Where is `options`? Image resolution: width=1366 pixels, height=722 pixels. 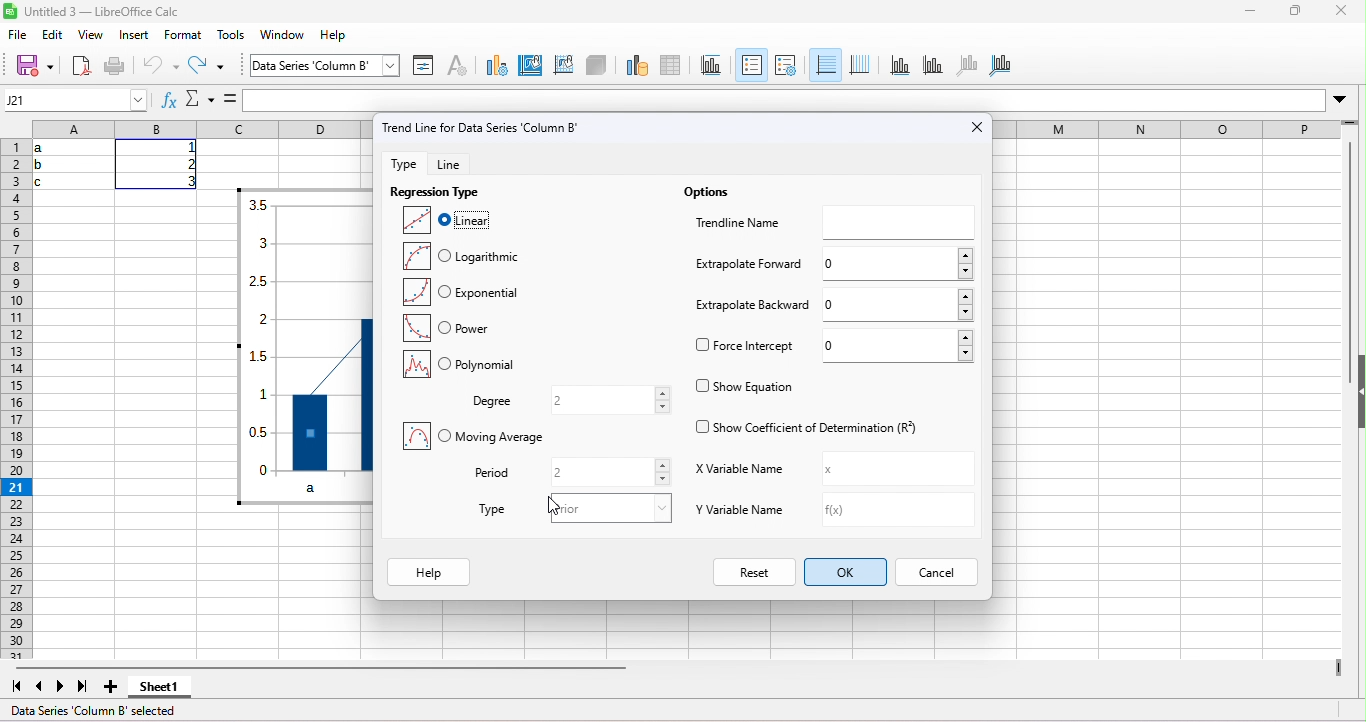
options is located at coordinates (712, 193).